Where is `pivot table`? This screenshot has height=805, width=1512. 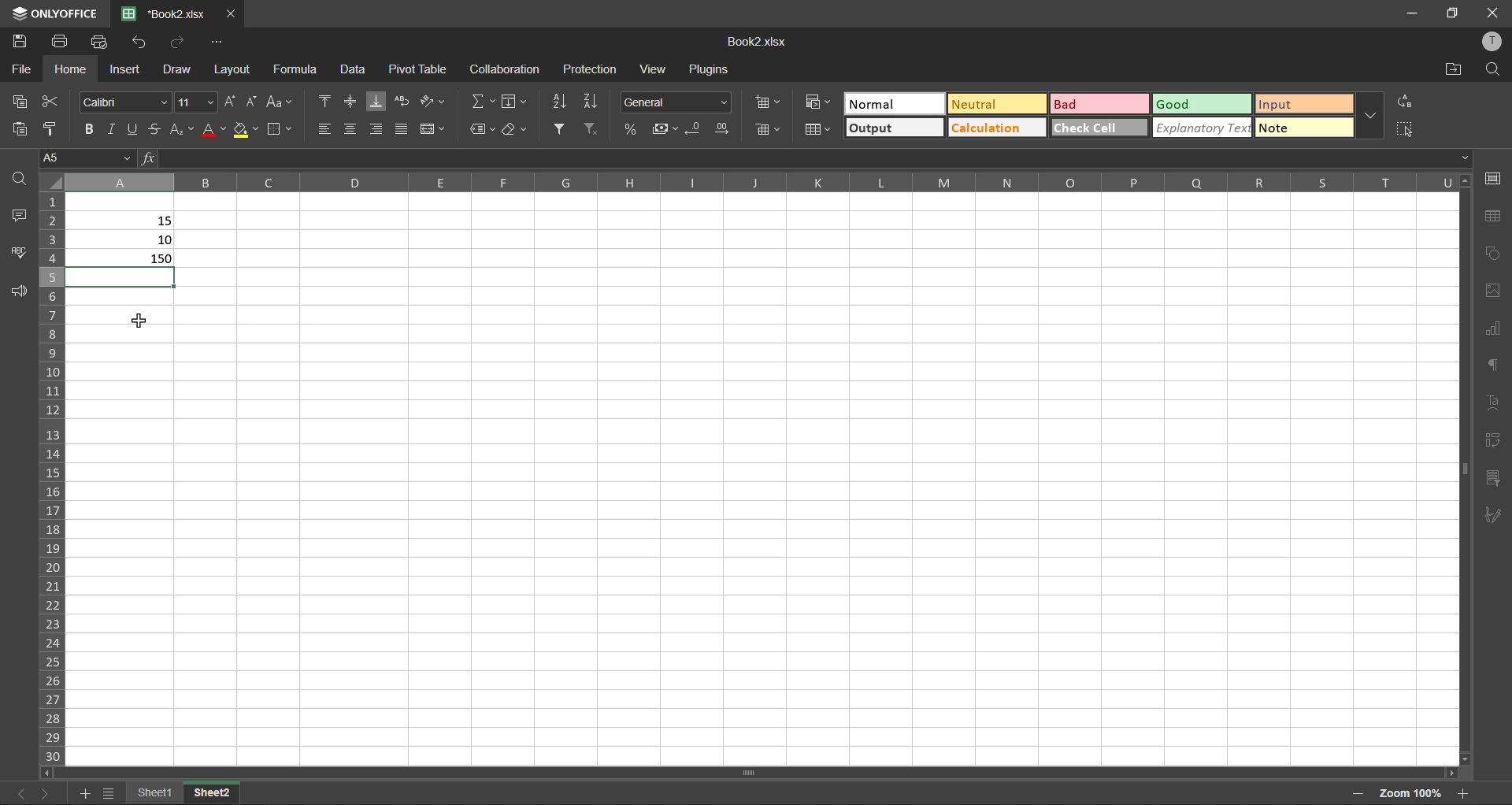
pivot table is located at coordinates (414, 68).